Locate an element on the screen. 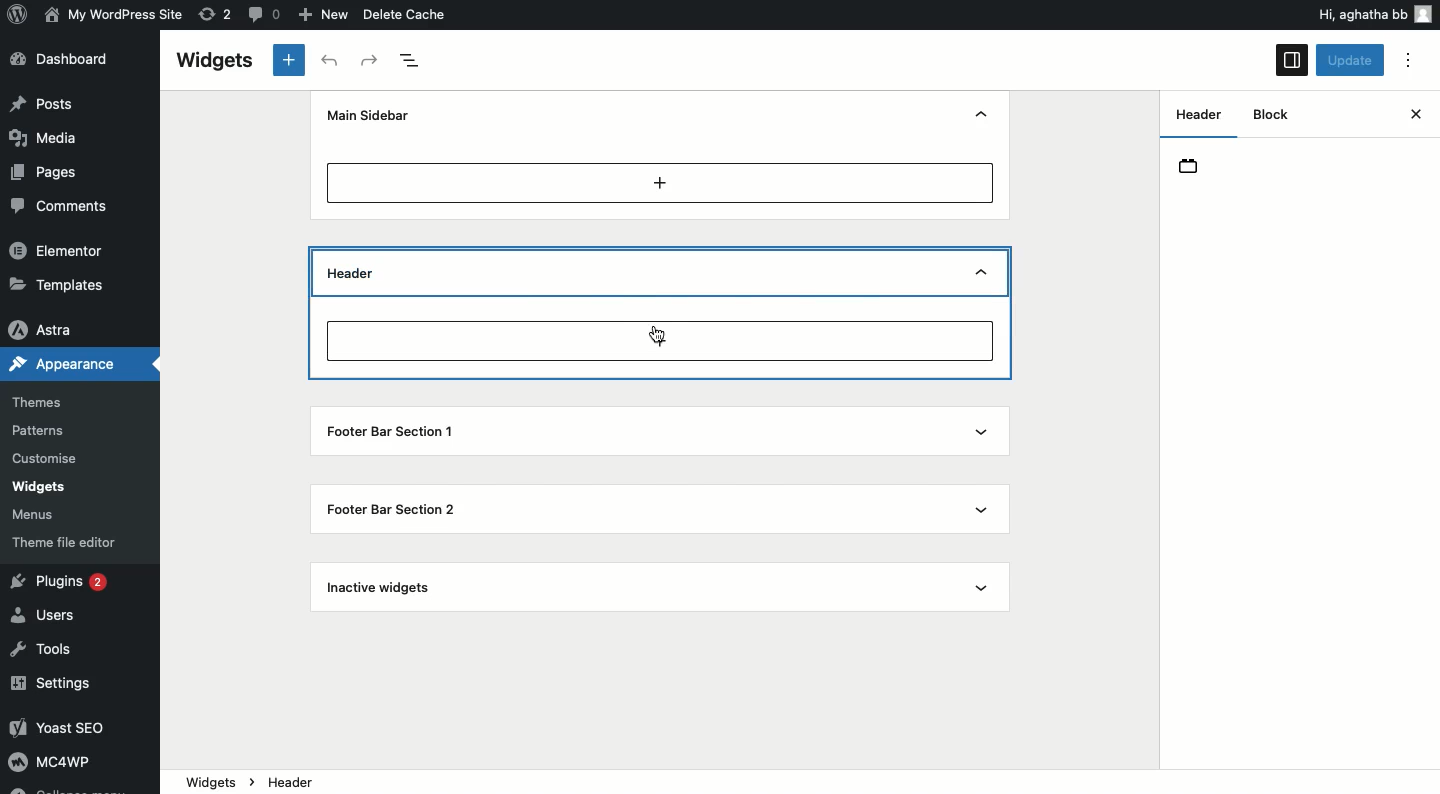 This screenshot has width=1440, height=794. Sidebar is located at coordinates (1292, 60).